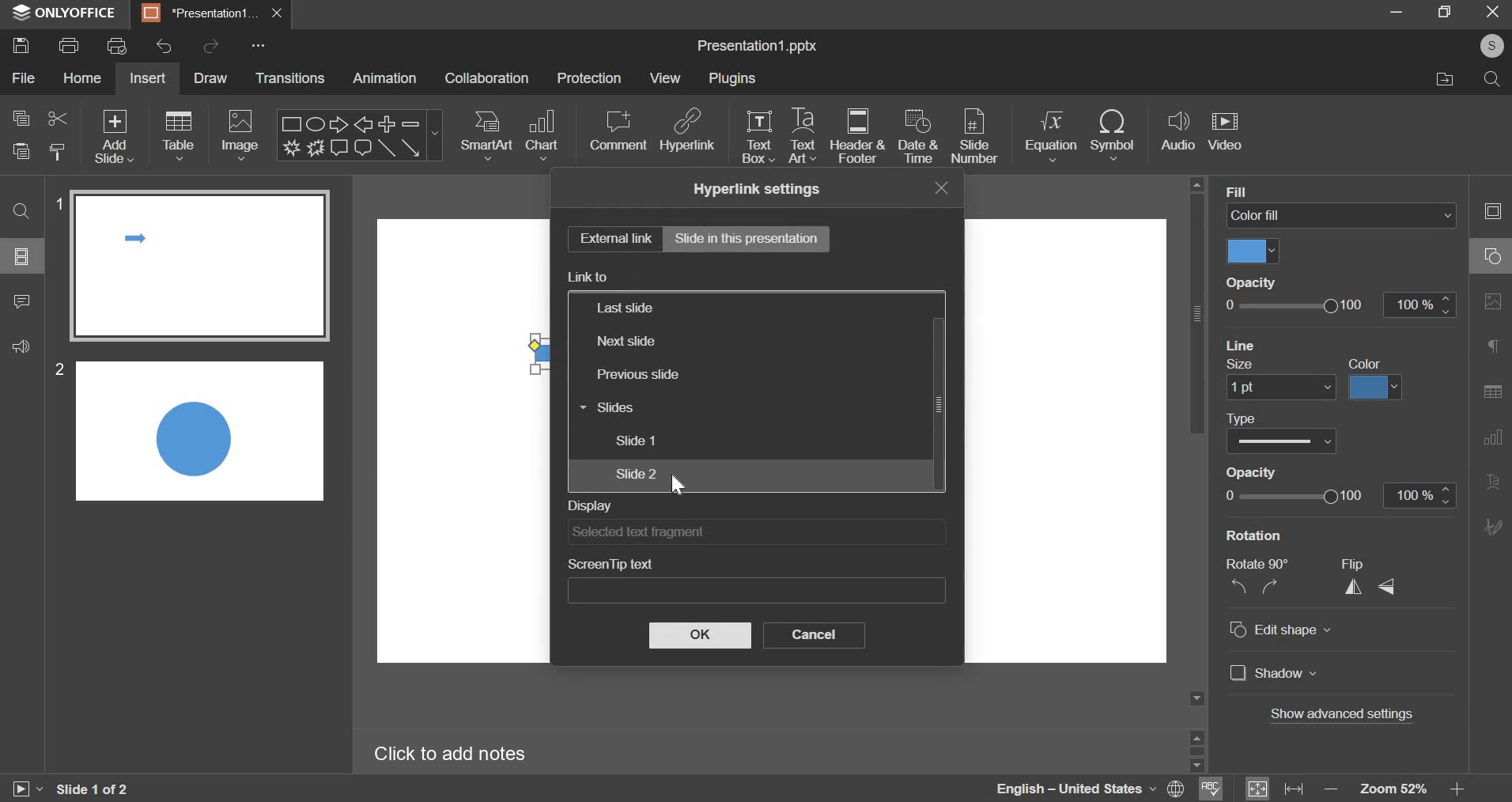  What do you see at coordinates (29, 785) in the screenshot?
I see `start slideshow` at bounding box center [29, 785].